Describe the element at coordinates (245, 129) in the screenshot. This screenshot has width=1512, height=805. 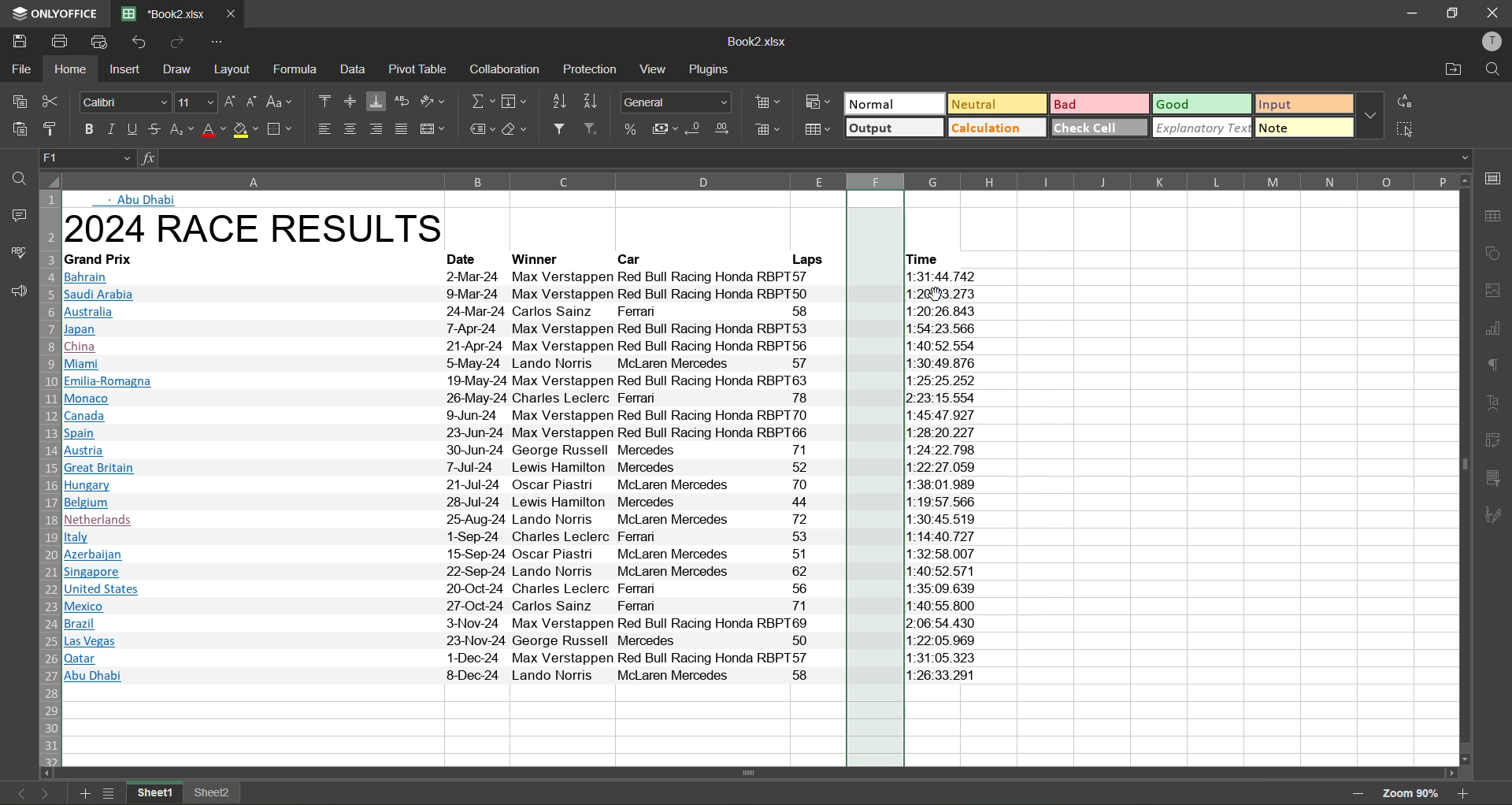
I see `fill color` at that location.